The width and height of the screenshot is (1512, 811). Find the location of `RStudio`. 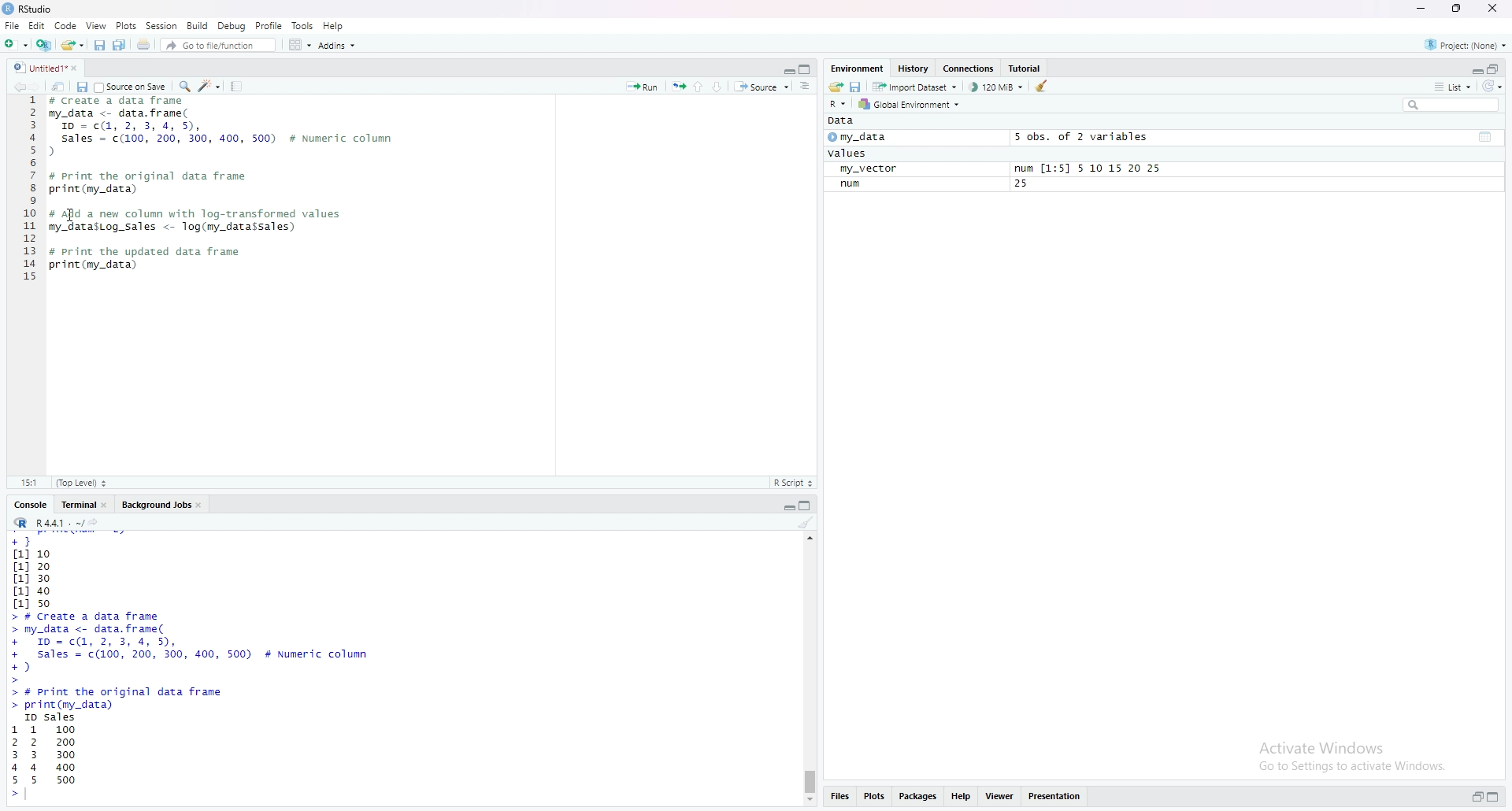

RStudio is located at coordinates (69, 9).